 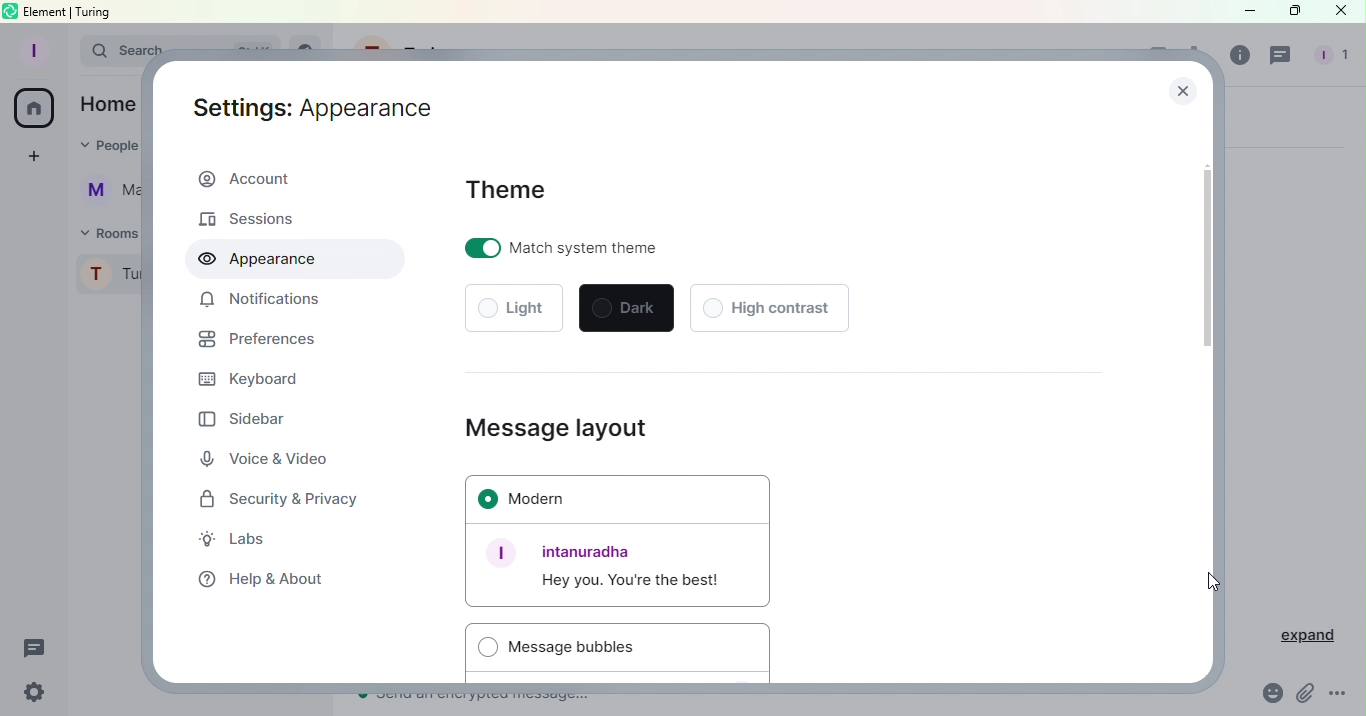 I want to click on People, so click(x=1330, y=56).